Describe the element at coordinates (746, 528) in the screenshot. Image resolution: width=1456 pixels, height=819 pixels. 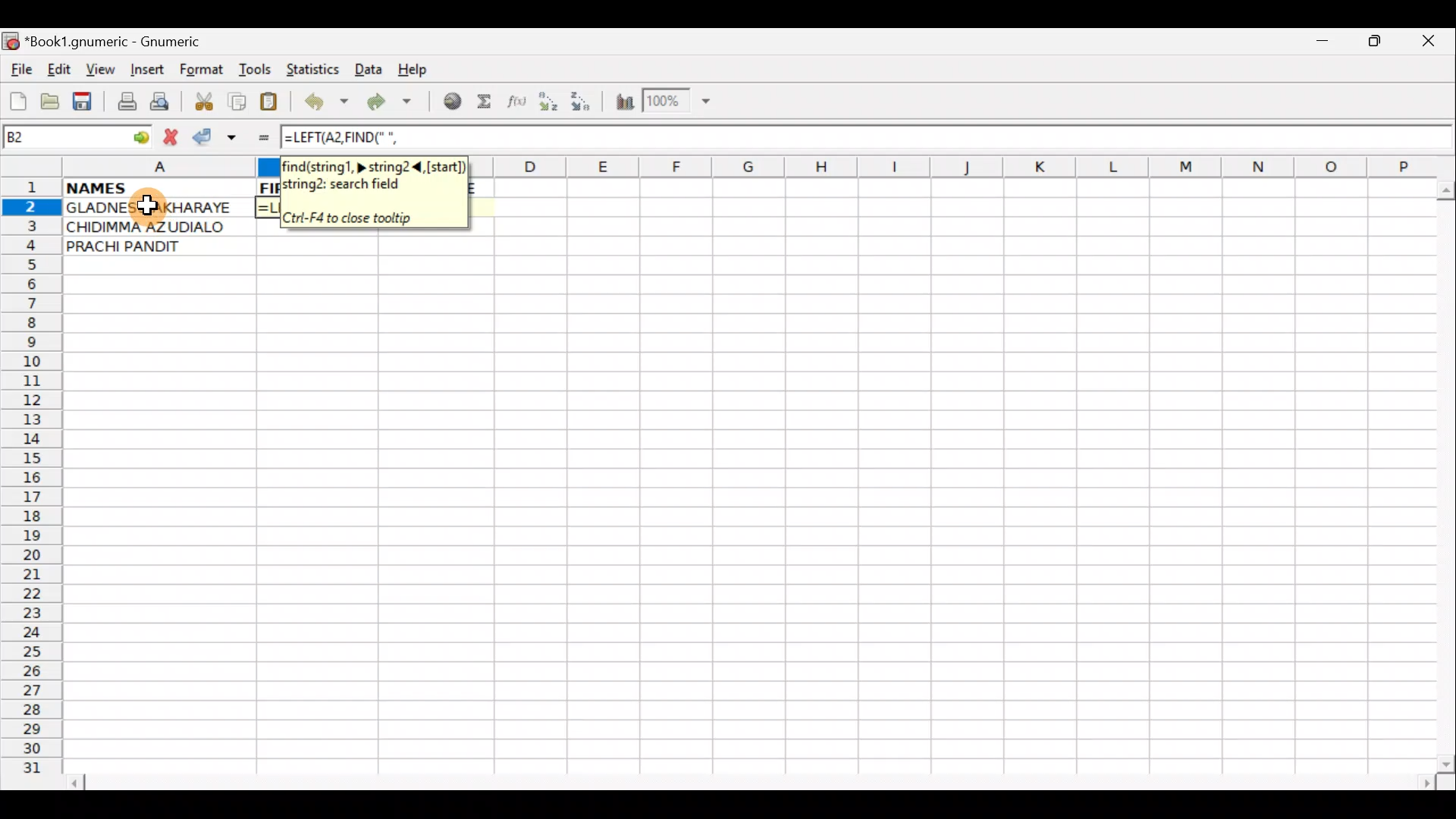
I see `Cells` at that location.